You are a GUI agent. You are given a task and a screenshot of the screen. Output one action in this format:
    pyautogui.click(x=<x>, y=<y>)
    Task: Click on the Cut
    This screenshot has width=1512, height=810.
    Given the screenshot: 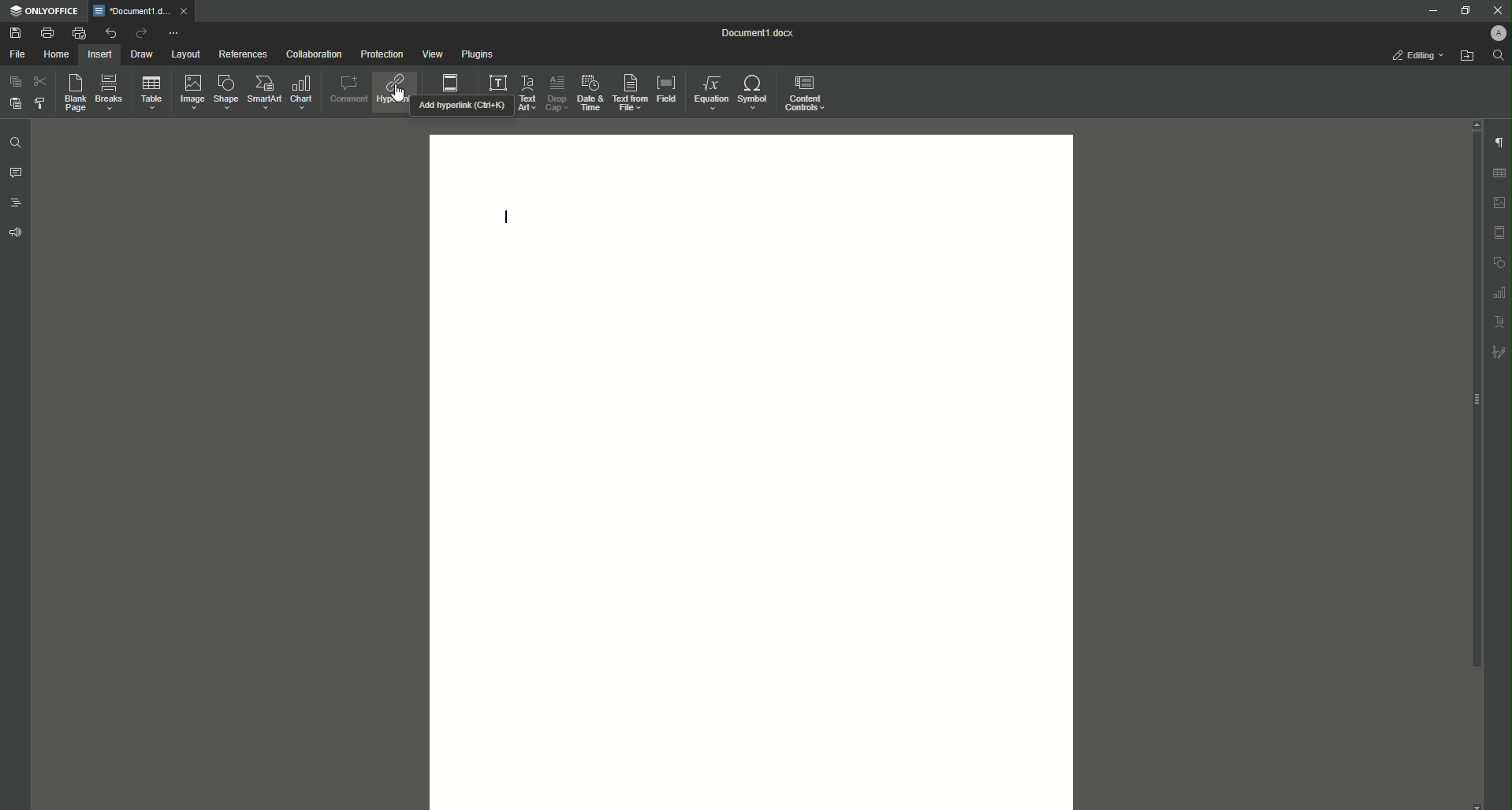 What is the action you would take?
    pyautogui.click(x=39, y=82)
    